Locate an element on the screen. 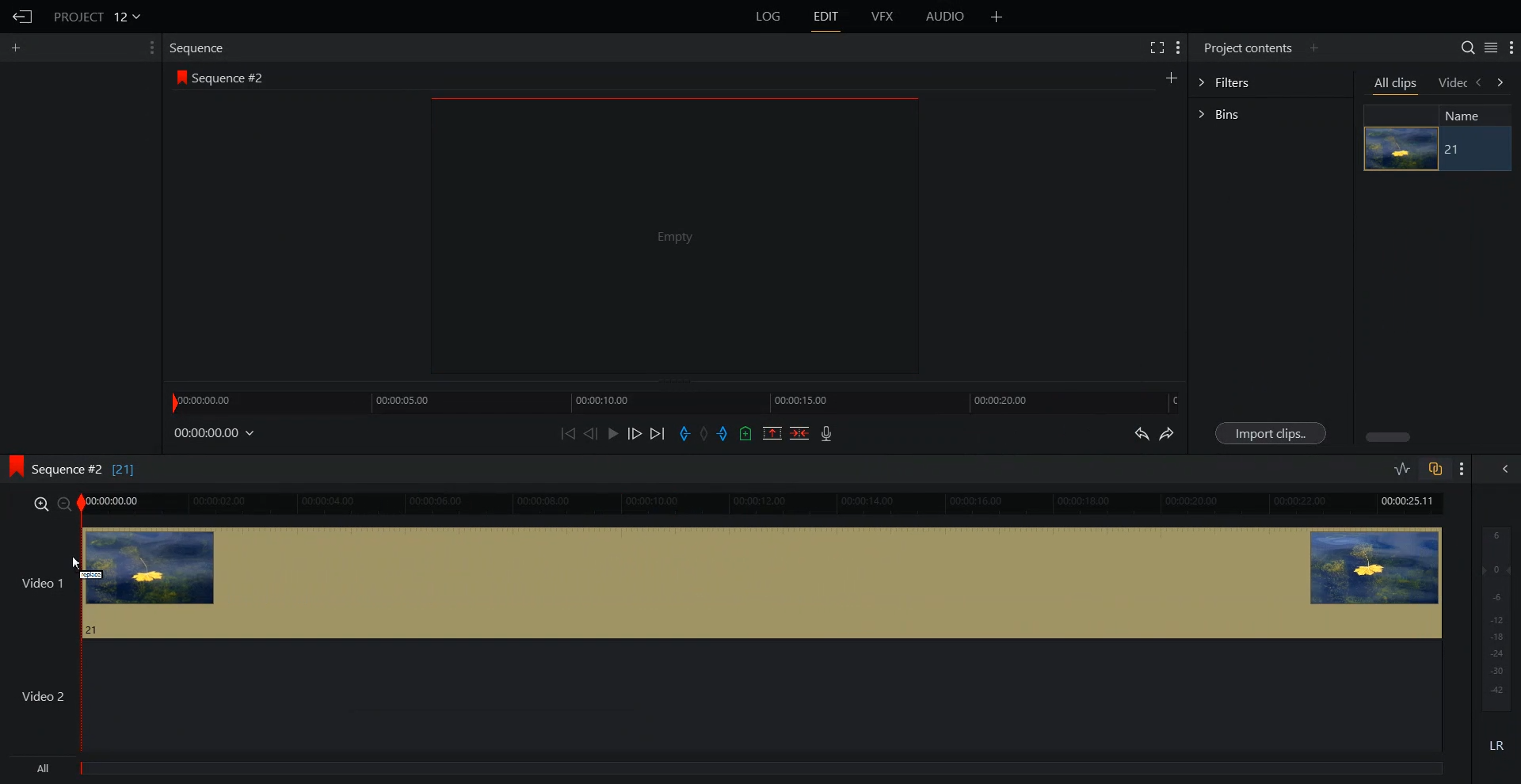  Toggle Audio level editing is located at coordinates (1401, 470).